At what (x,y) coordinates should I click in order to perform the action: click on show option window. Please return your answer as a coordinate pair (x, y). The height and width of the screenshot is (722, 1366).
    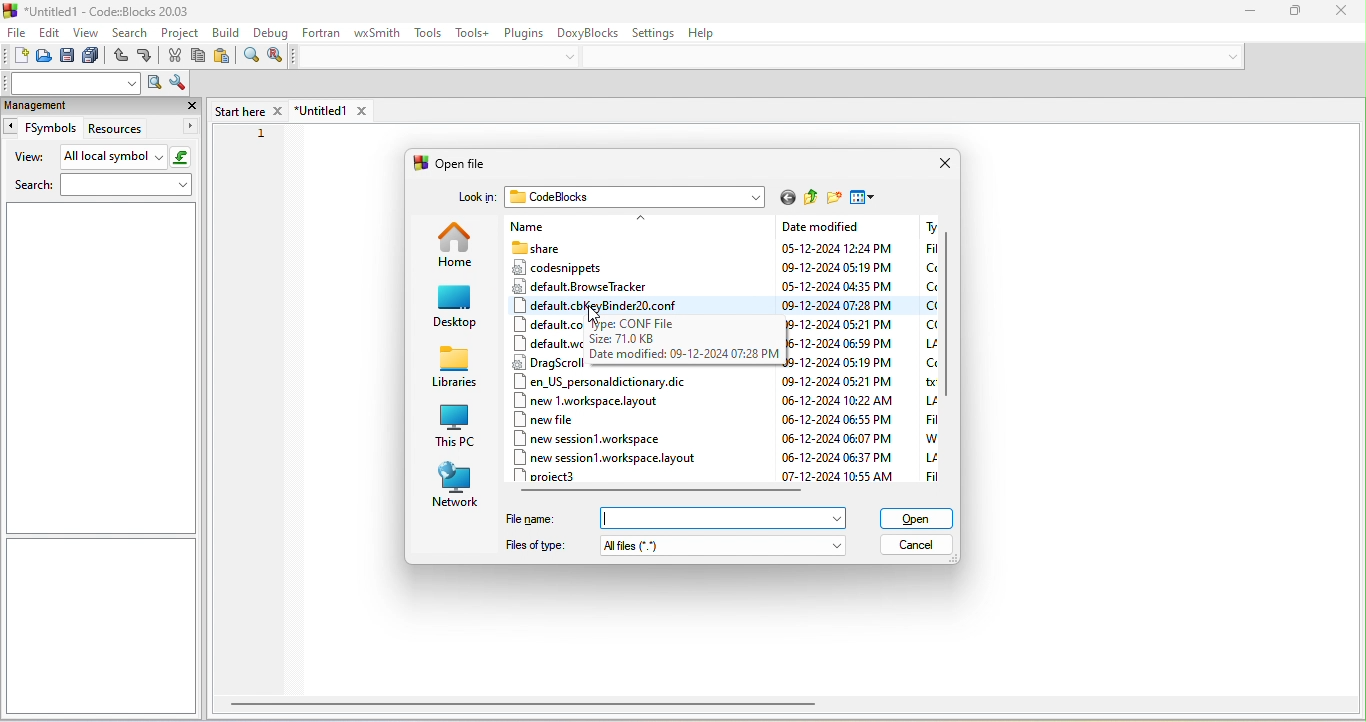
    Looking at the image, I should click on (178, 84).